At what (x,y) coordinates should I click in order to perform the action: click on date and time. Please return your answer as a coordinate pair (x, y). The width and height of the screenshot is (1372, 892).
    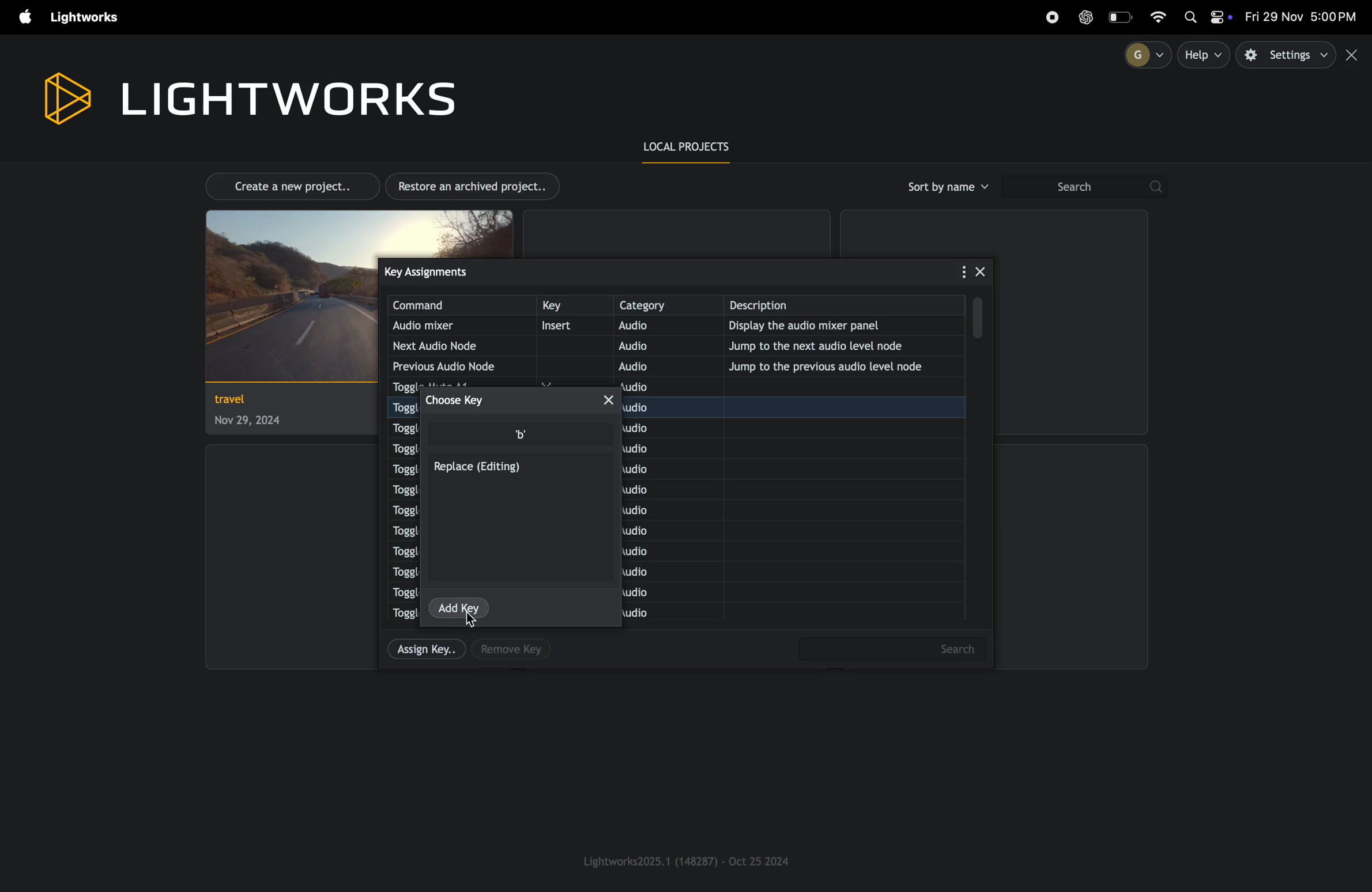
    Looking at the image, I should click on (1303, 17).